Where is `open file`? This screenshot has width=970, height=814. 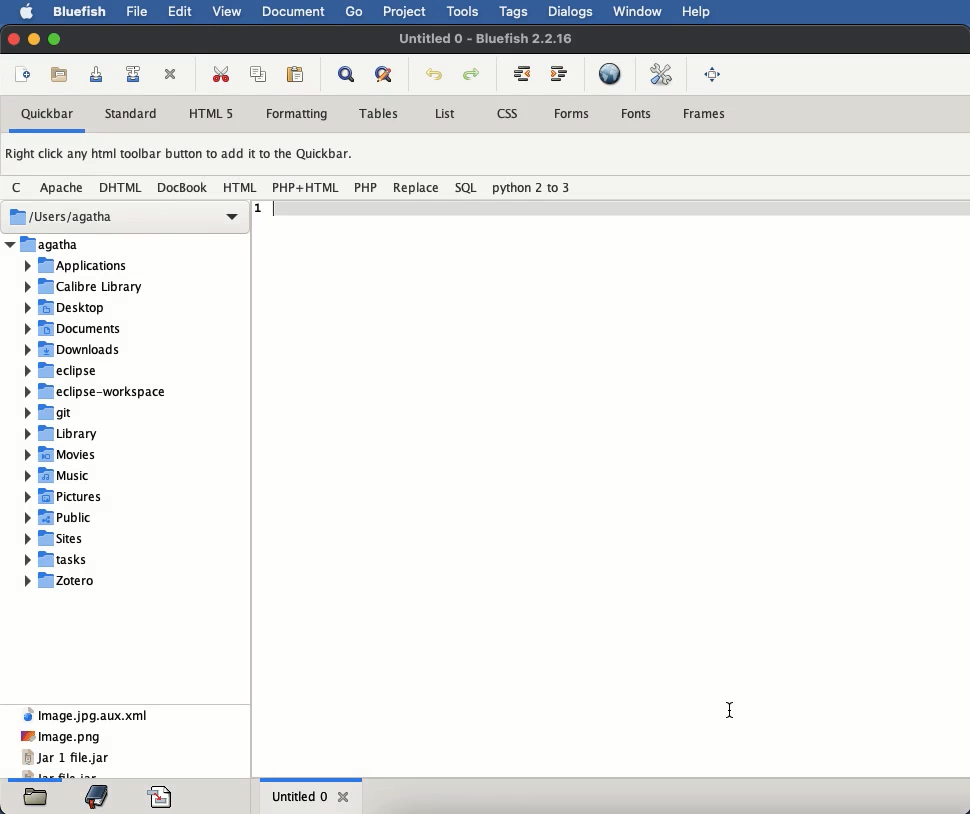
open file is located at coordinates (62, 75).